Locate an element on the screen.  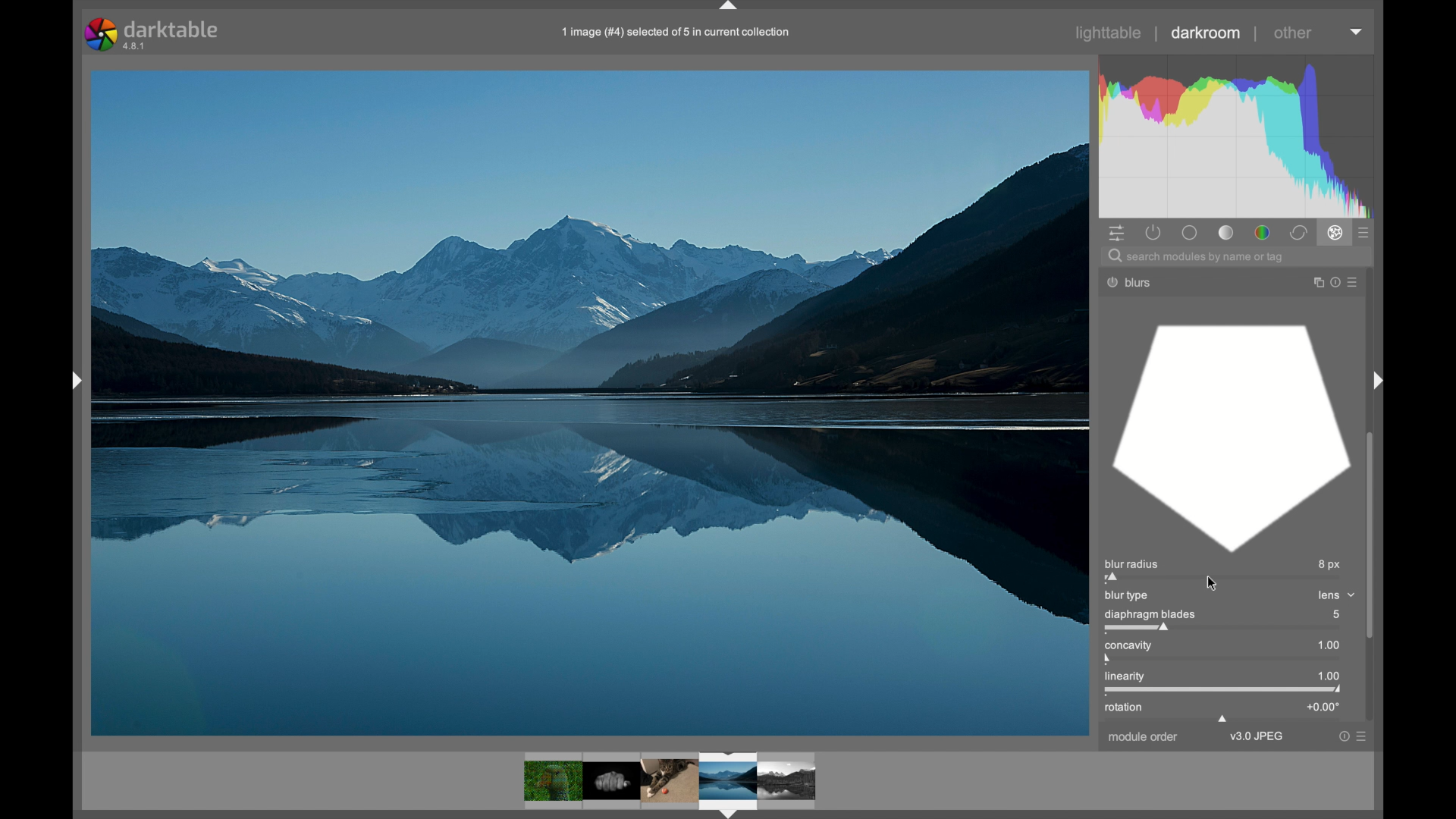
lighttable is located at coordinates (1110, 33).